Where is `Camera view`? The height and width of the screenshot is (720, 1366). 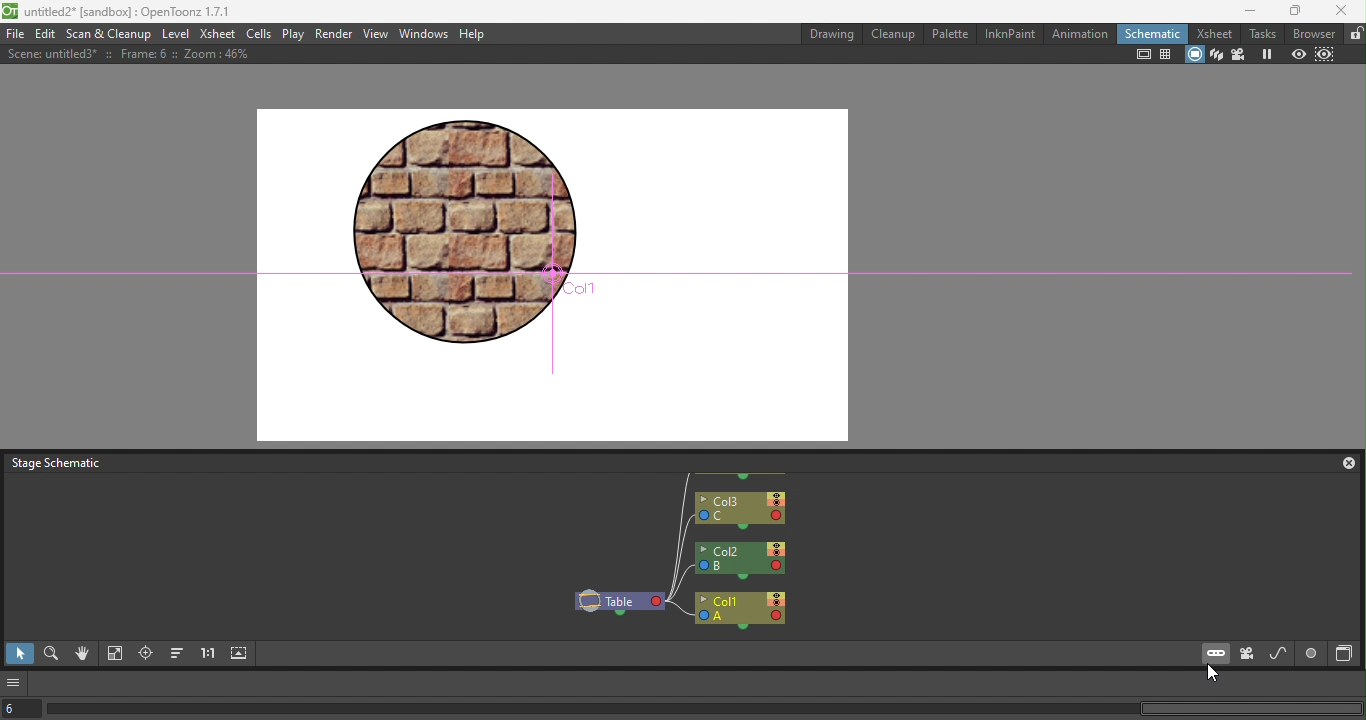 Camera view is located at coordinates (1240, 55).